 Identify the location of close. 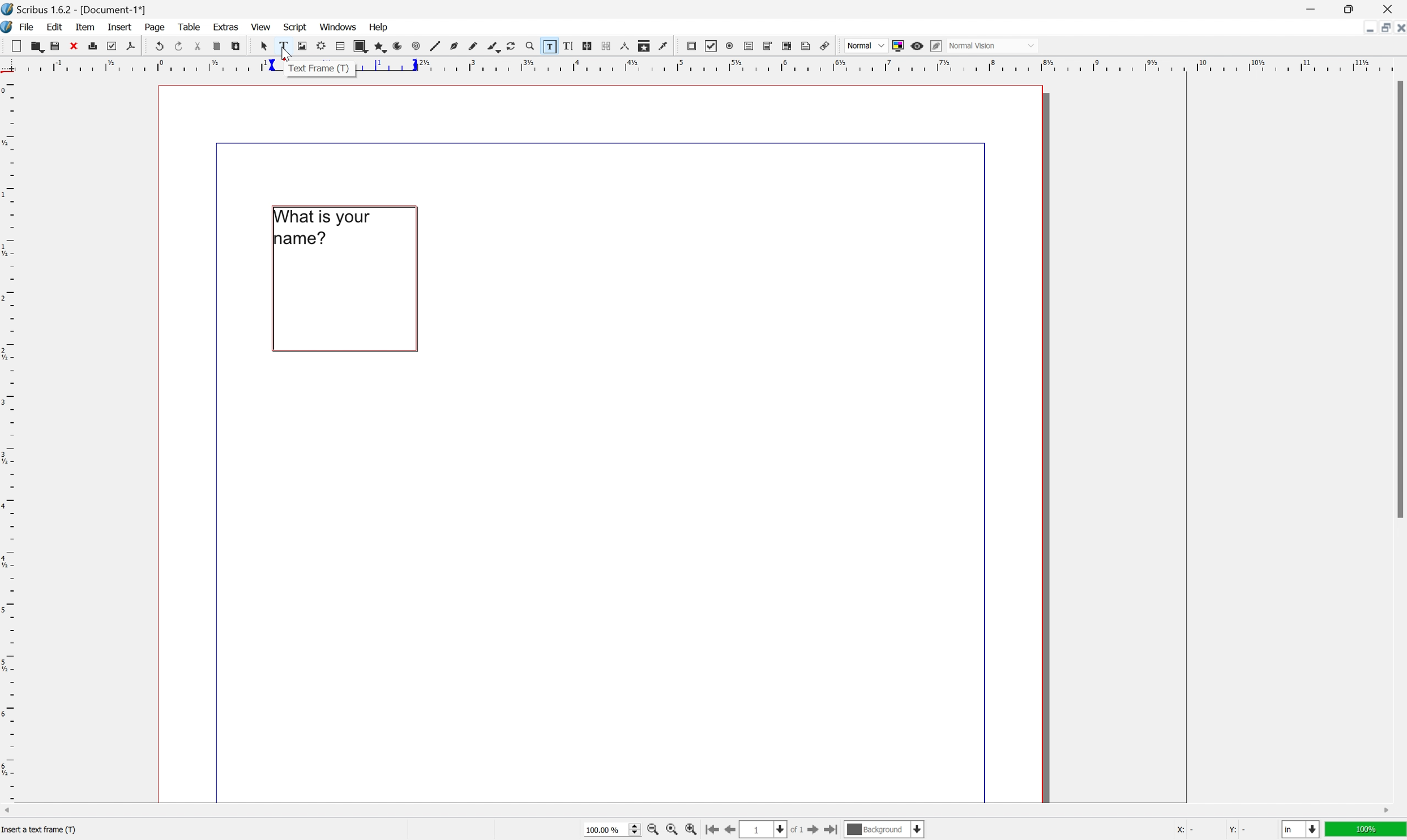
(74, 45).